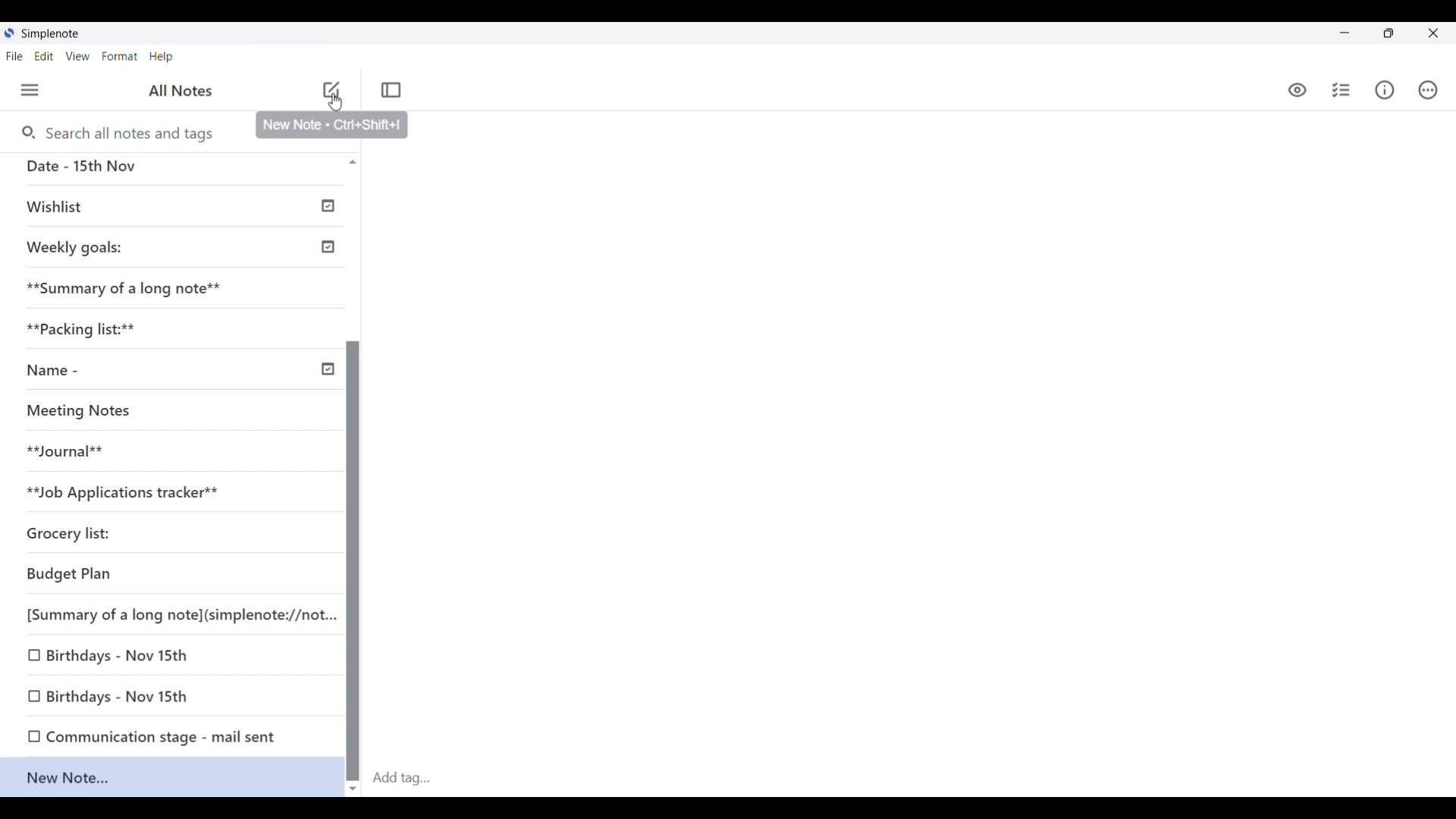  I want to click on Meeting Notes, so click(88, 414).